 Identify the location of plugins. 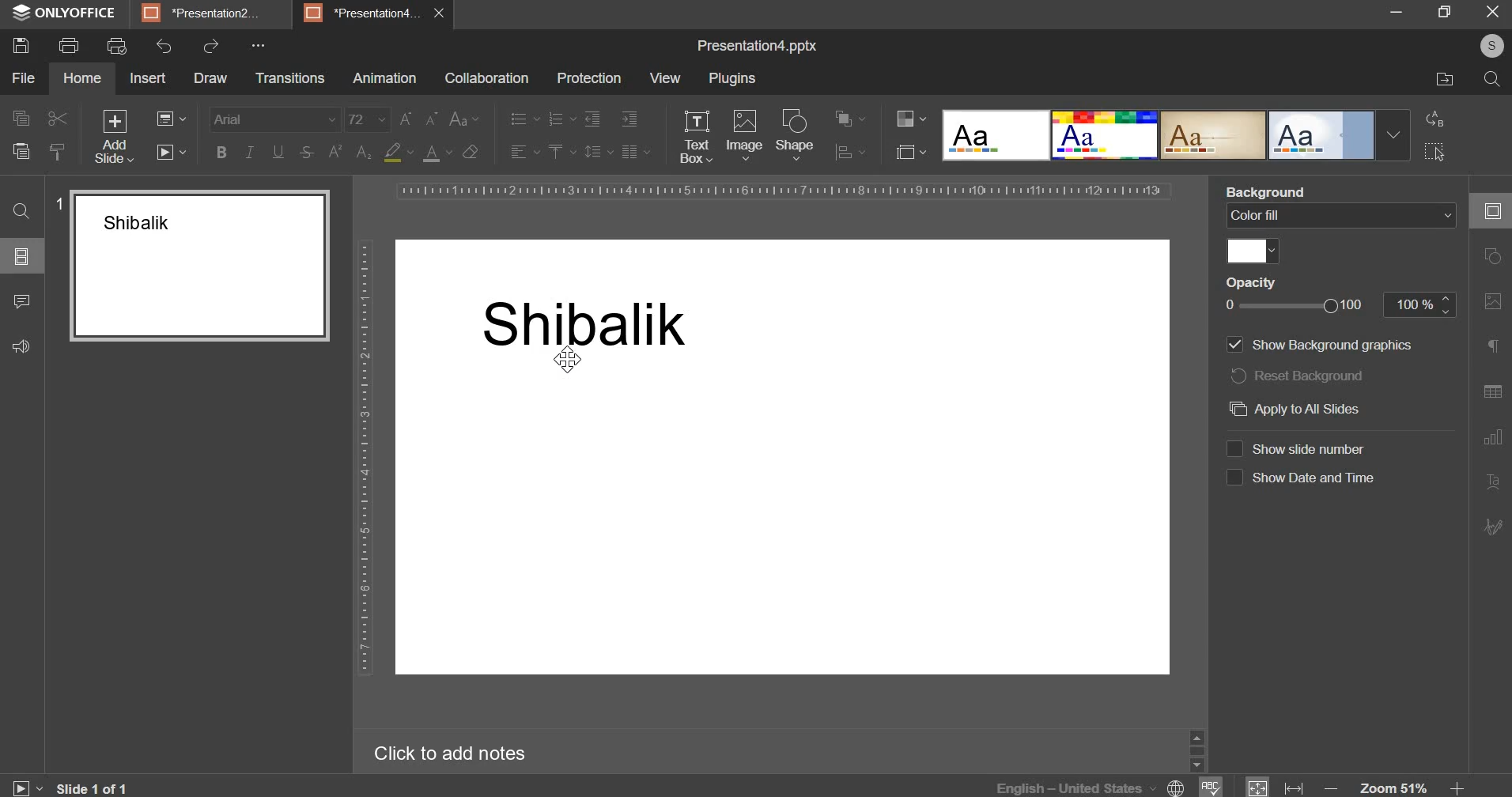
(732, 80).